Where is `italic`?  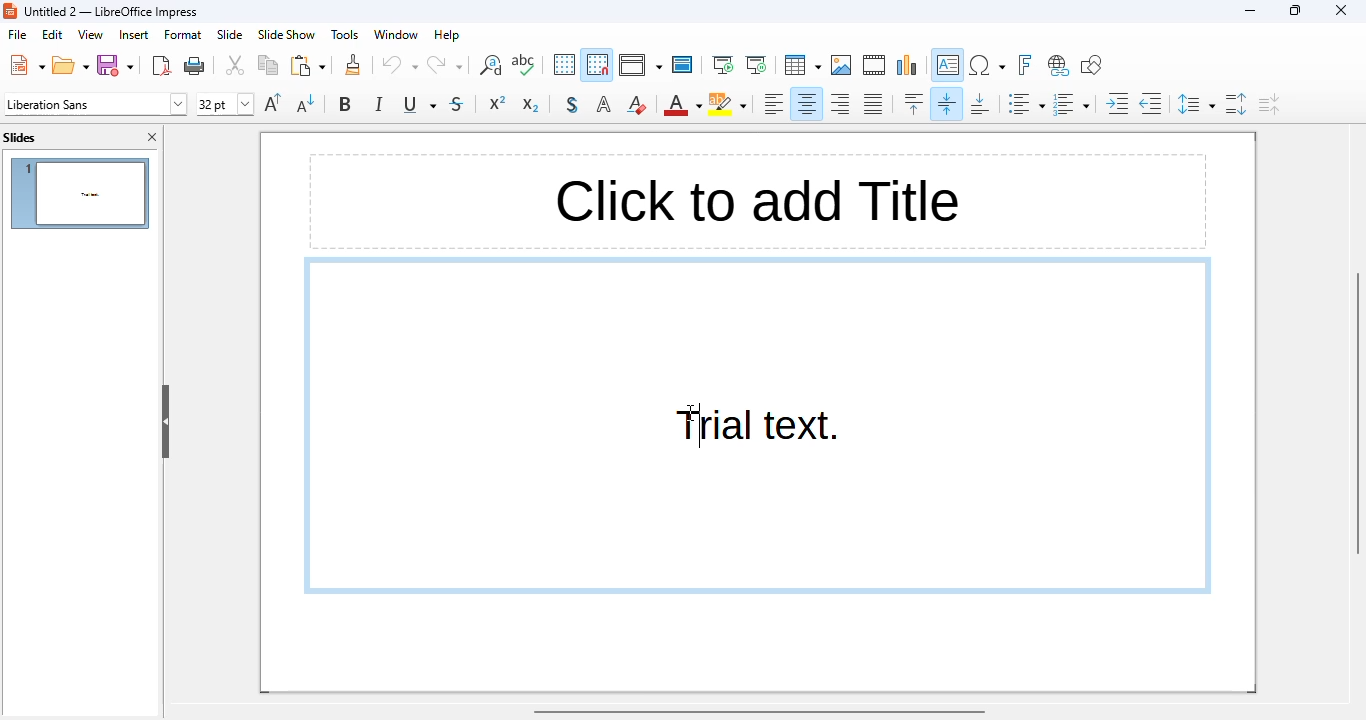 italic is located at coordinates (379, 103).